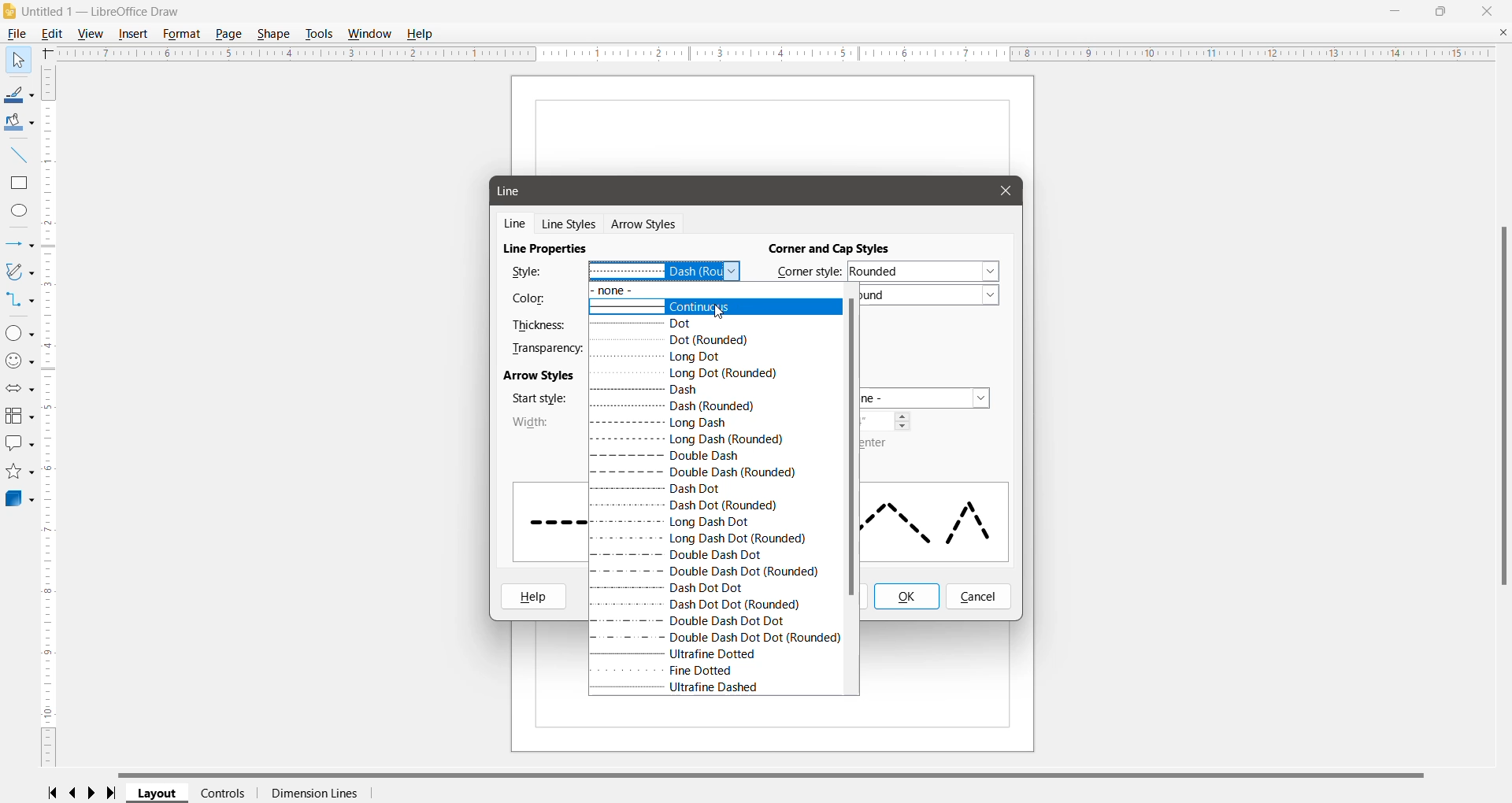 Image resolution: width=1512 pixels, height=803 pixels. I want to click on Curves and Polygons, so click(19, 271).